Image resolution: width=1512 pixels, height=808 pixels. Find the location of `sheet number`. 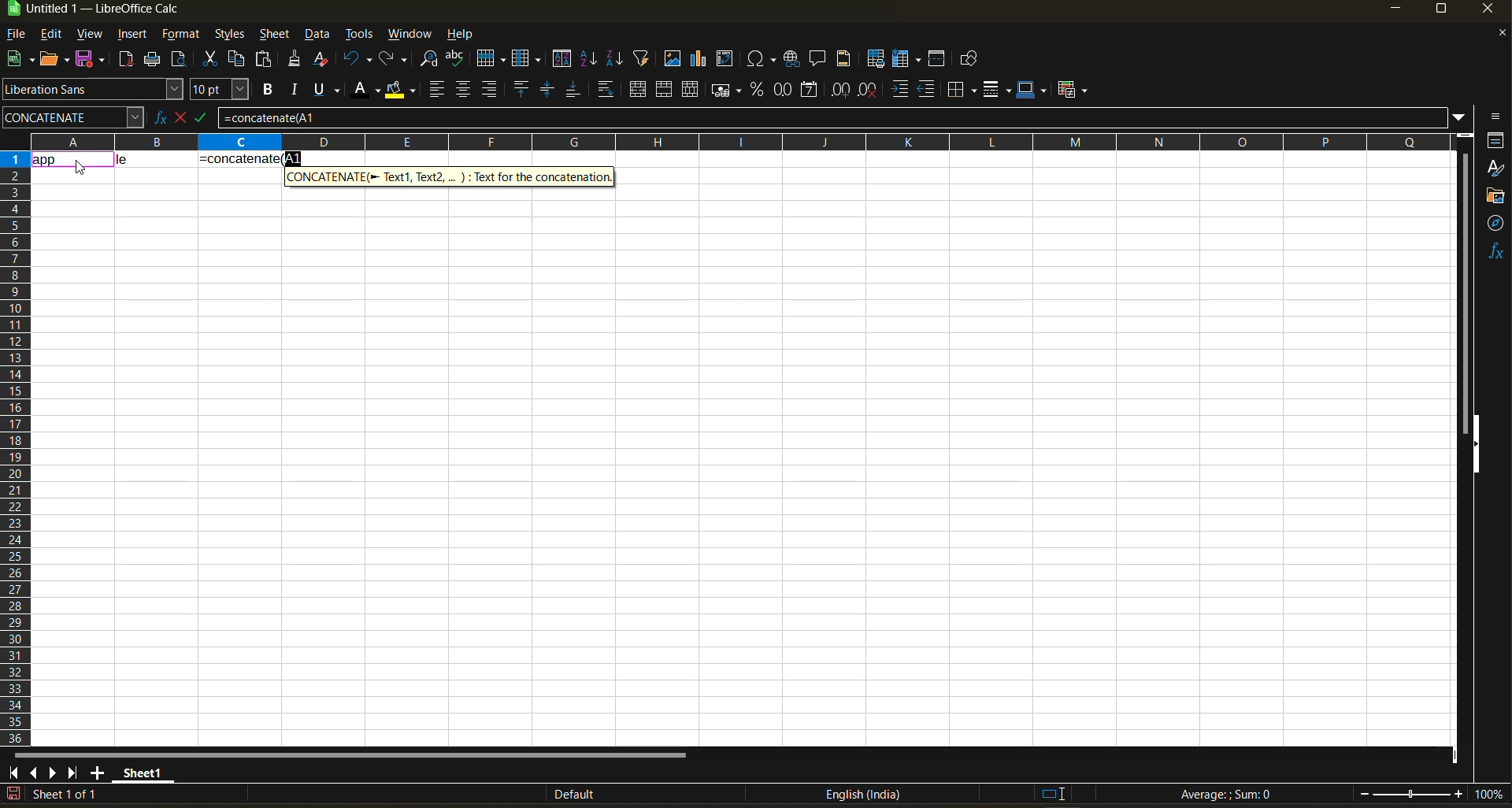

sheet number is located at coordinates (69, 794).